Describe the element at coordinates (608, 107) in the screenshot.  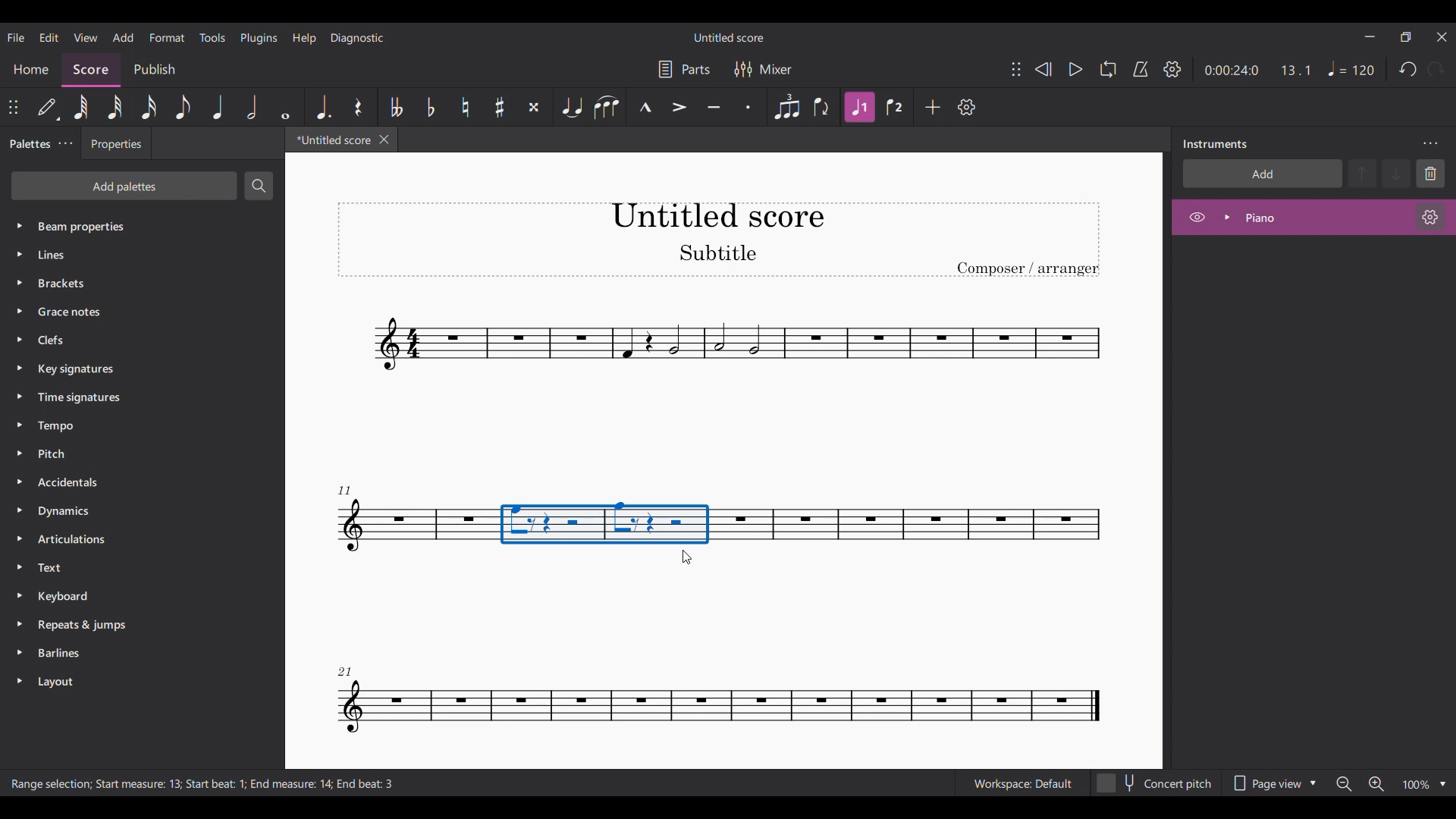
I see `Slur` at that location.